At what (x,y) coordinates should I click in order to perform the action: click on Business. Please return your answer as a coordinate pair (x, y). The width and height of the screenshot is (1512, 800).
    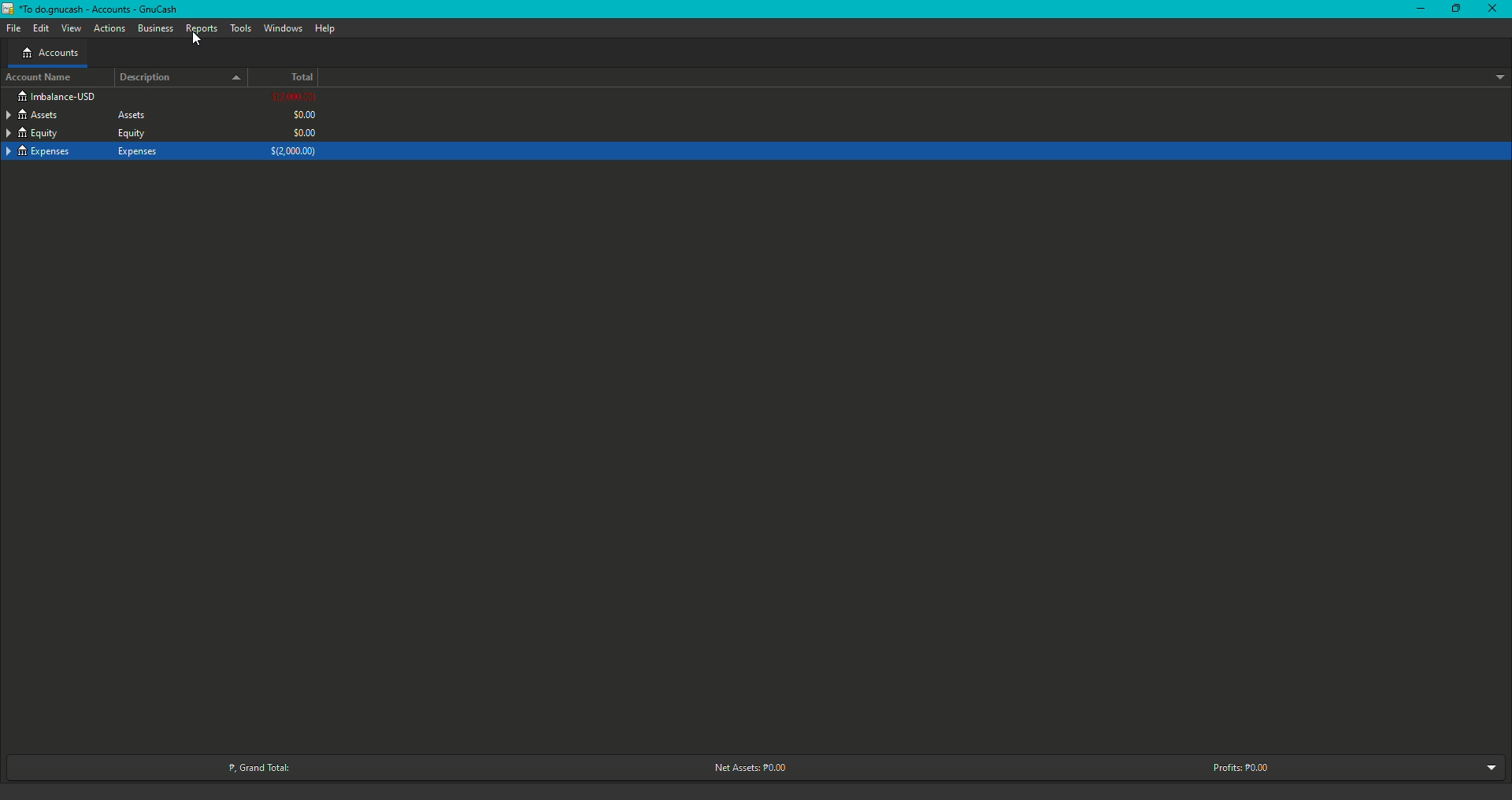
    Looking at the image, I should click on (155, 28).